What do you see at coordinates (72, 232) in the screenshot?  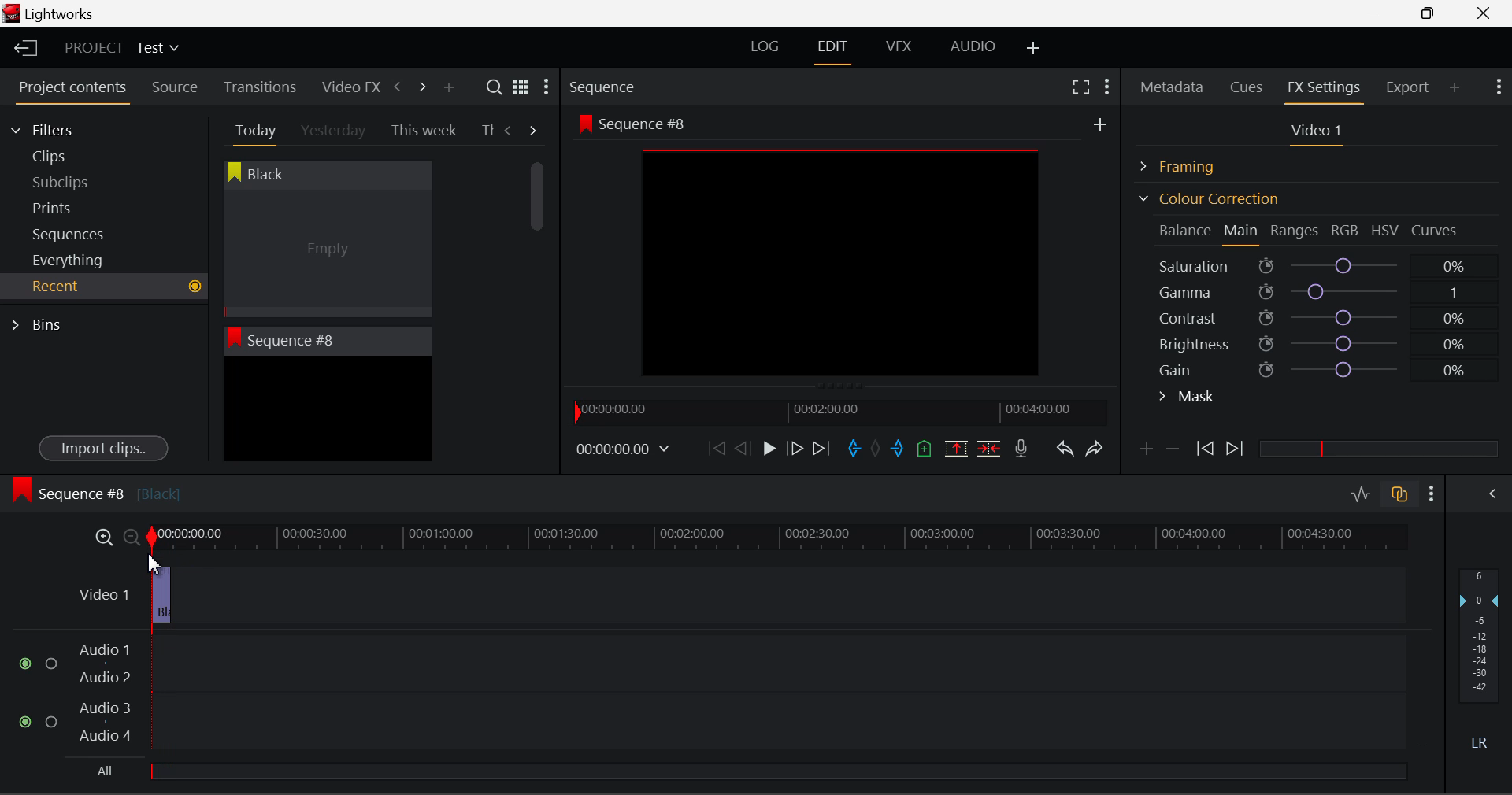 I see `Sequences` at bounding box center [72, 232].